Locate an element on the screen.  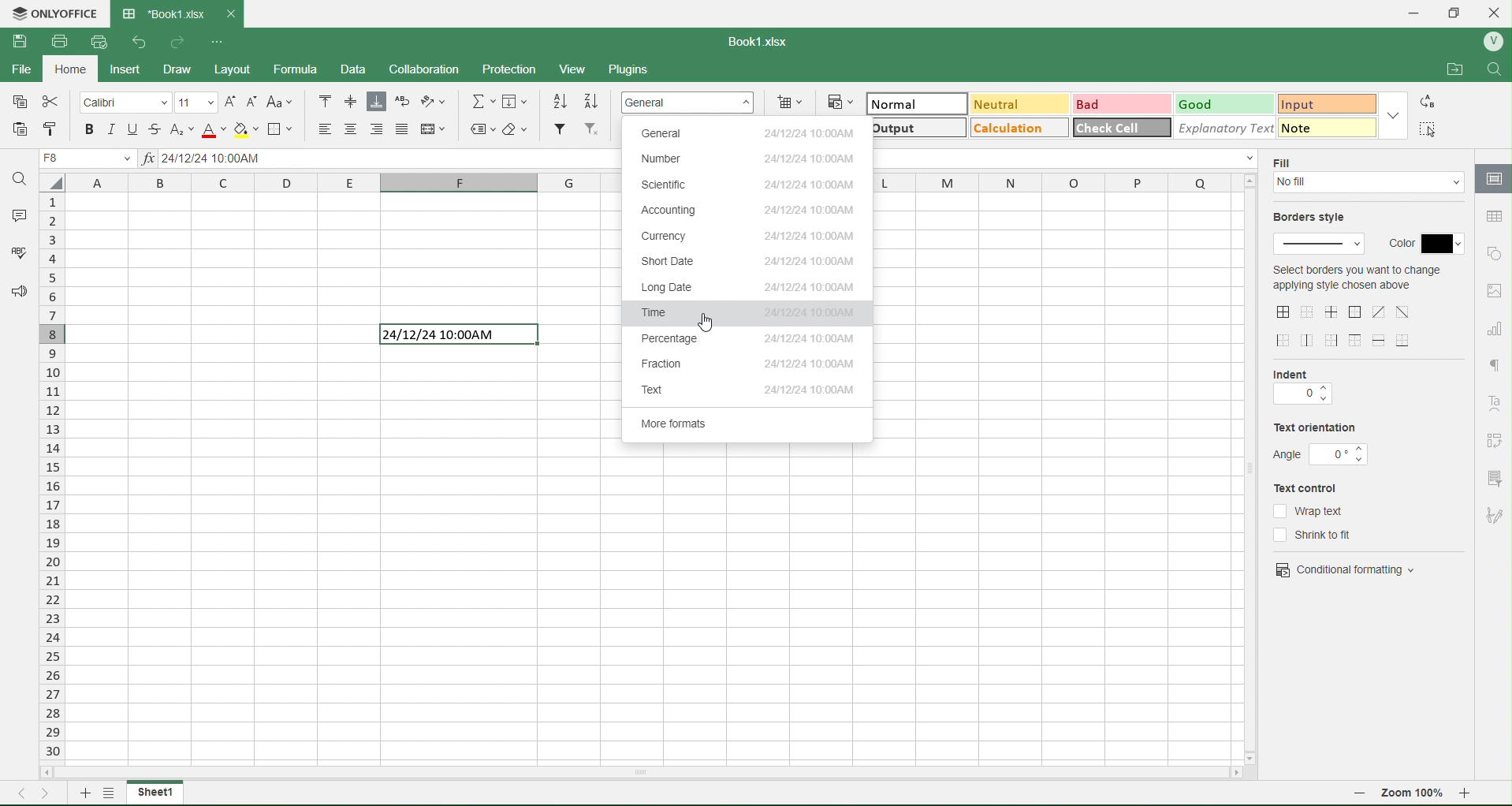
text control is located at coordinates (1315, 488).